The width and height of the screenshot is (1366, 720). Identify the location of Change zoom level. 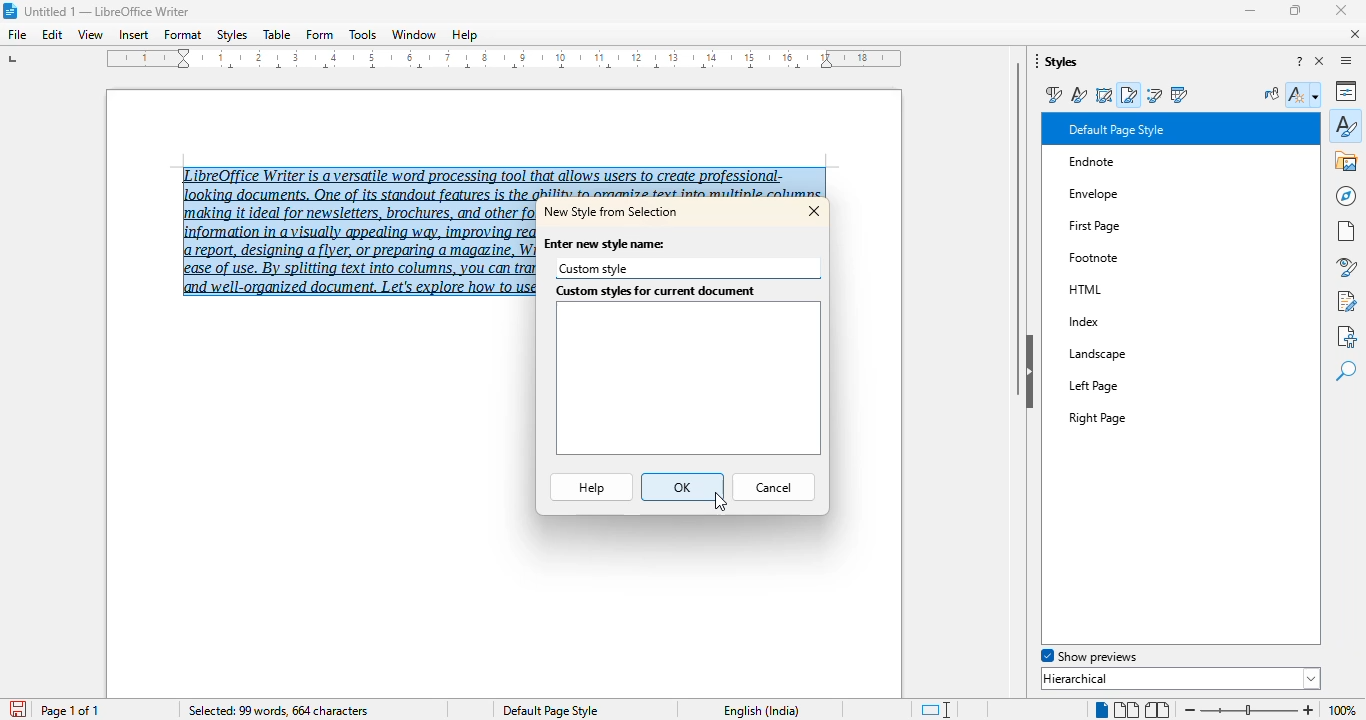
(1250, 707).